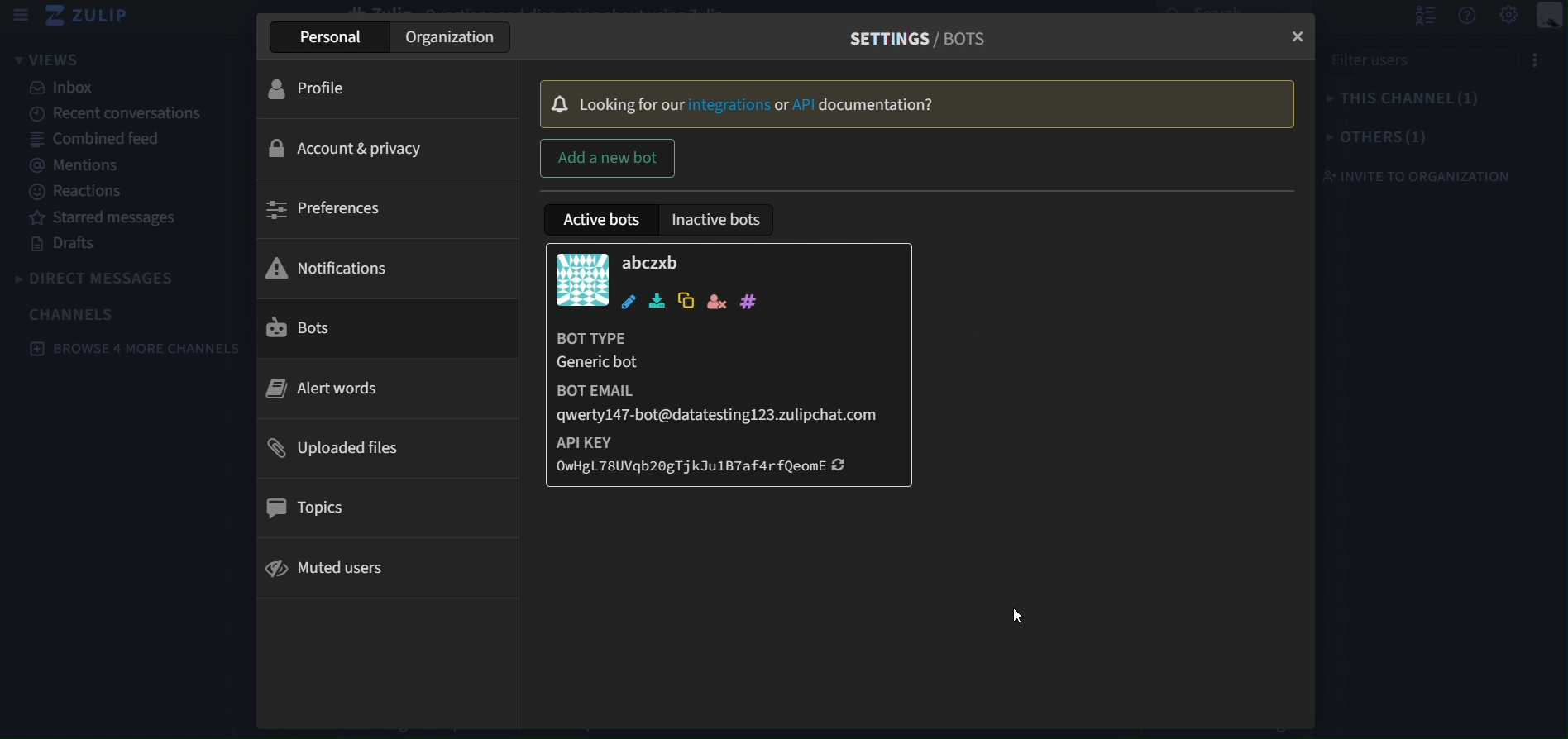 The height and width of the screenshot is (739, 1568). Describe the element at coordinates (461, 41) in the screenshot. I see `organization` at that location.